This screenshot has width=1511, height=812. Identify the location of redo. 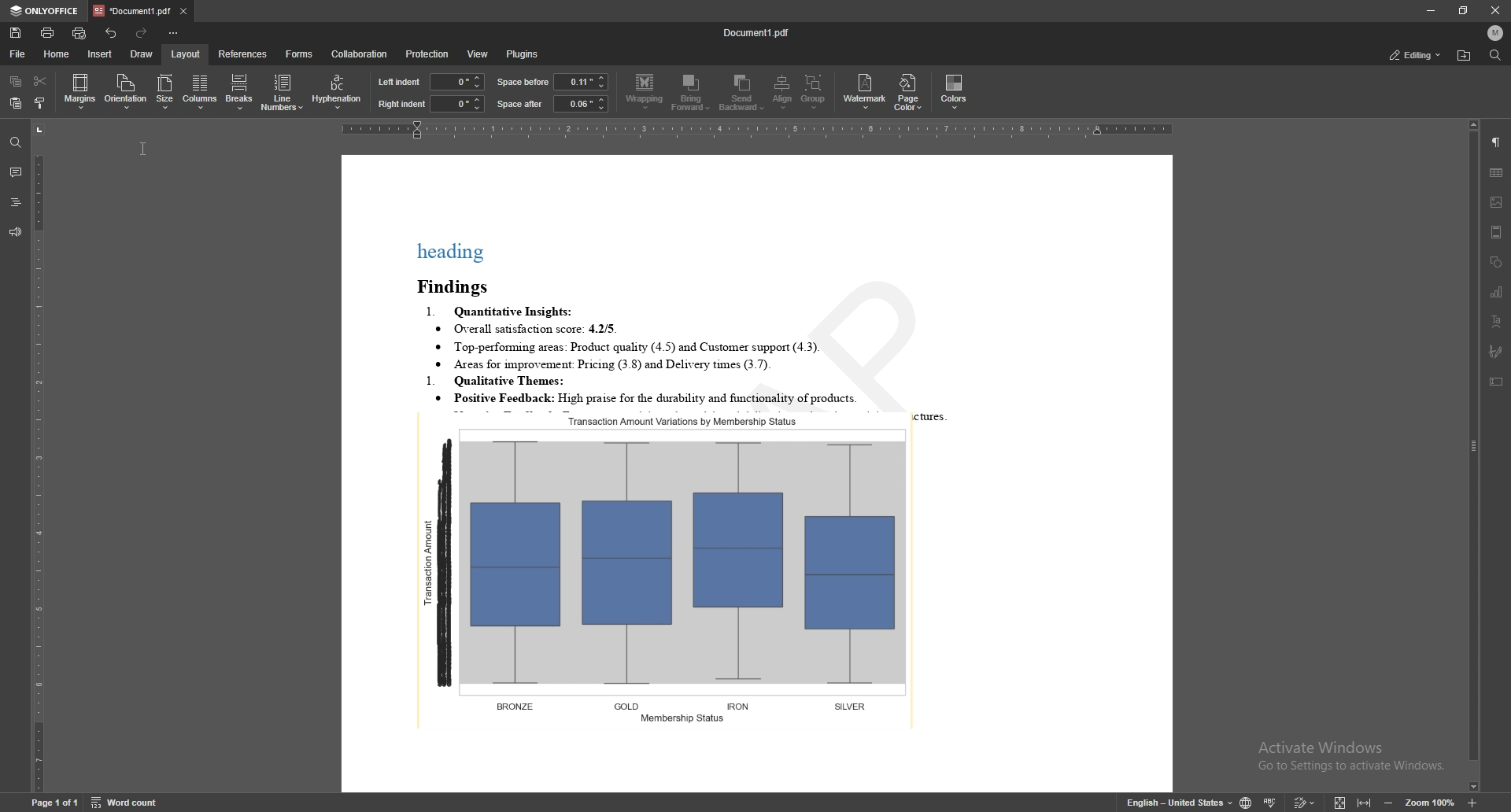
(140, 32).